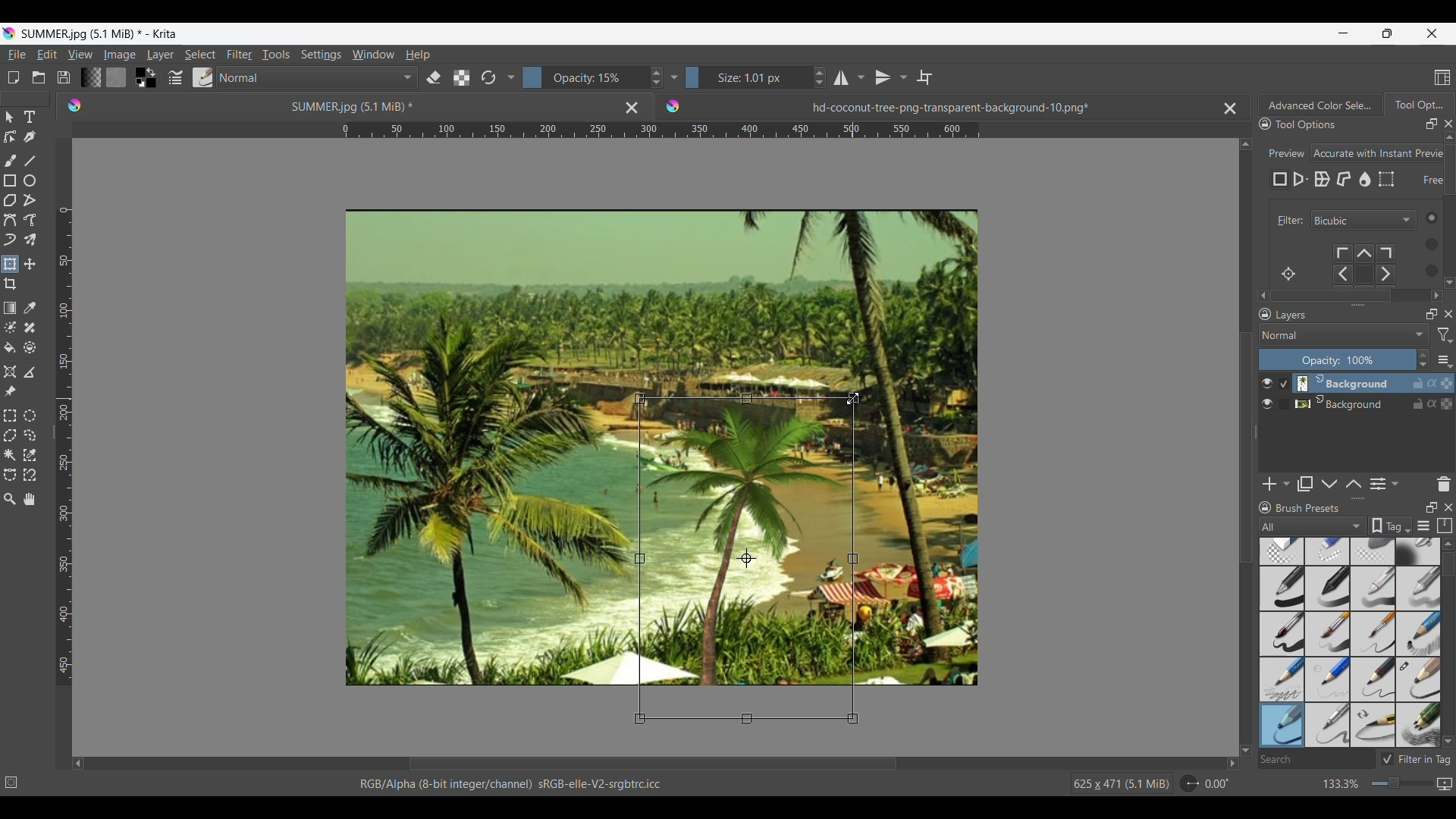 Image resolution: width=1456 pixels, height=819 pixels. I want to click on Freehand path tool, so click(29, 220).